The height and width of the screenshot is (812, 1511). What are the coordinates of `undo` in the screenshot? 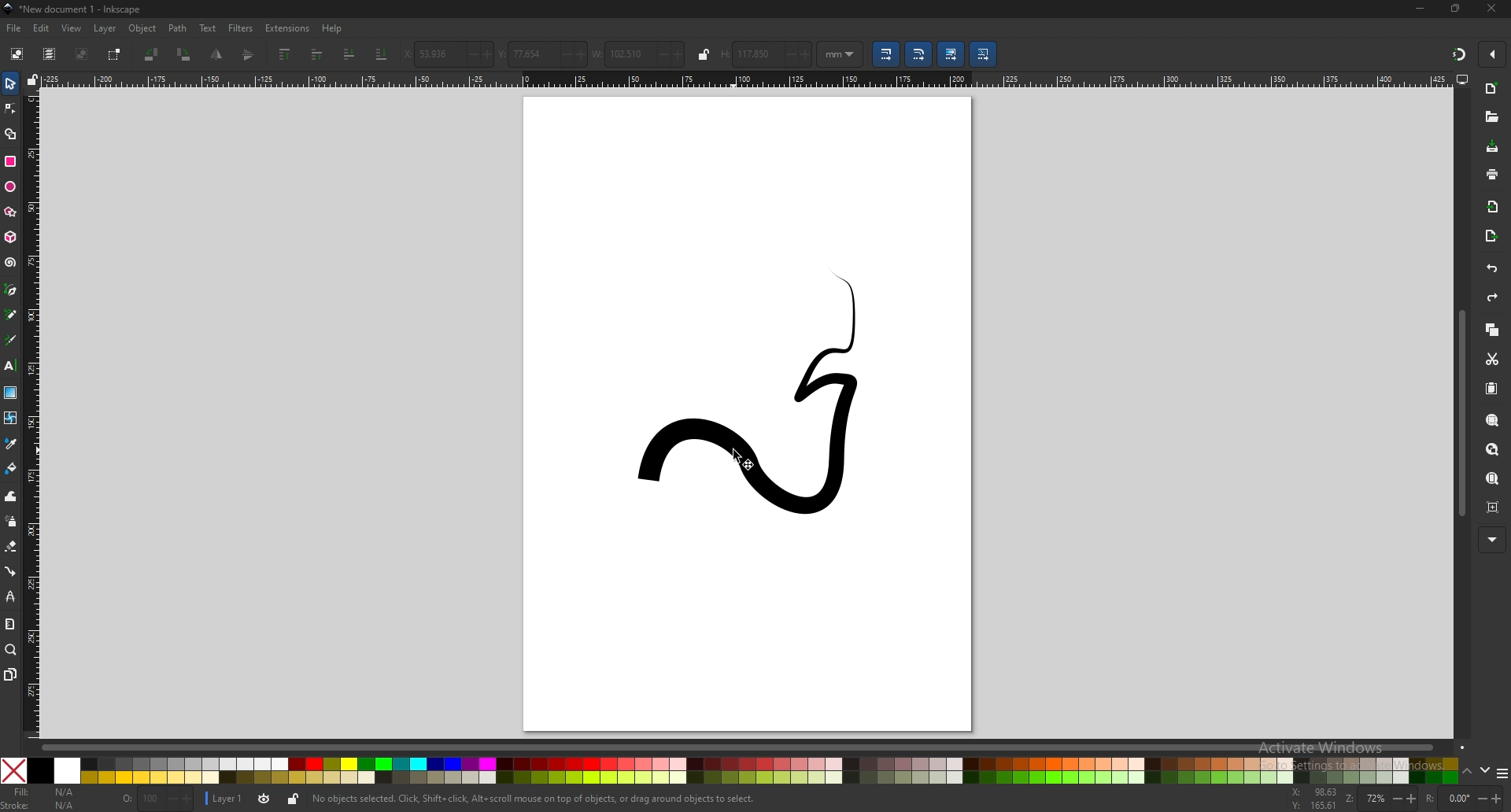 It's located at (1492, 270).